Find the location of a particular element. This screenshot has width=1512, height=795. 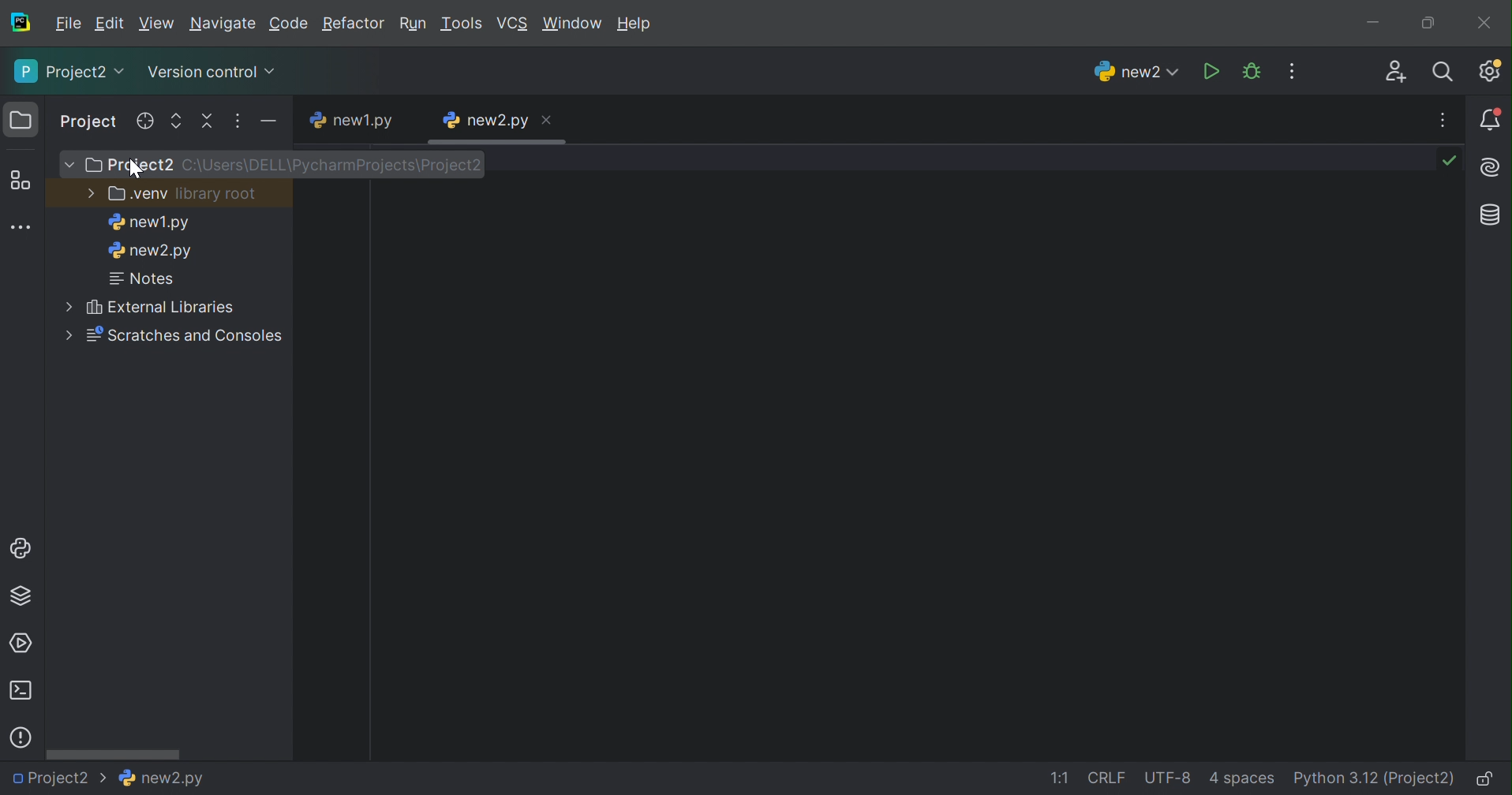

Project2 is located at coordinates (68, 73).